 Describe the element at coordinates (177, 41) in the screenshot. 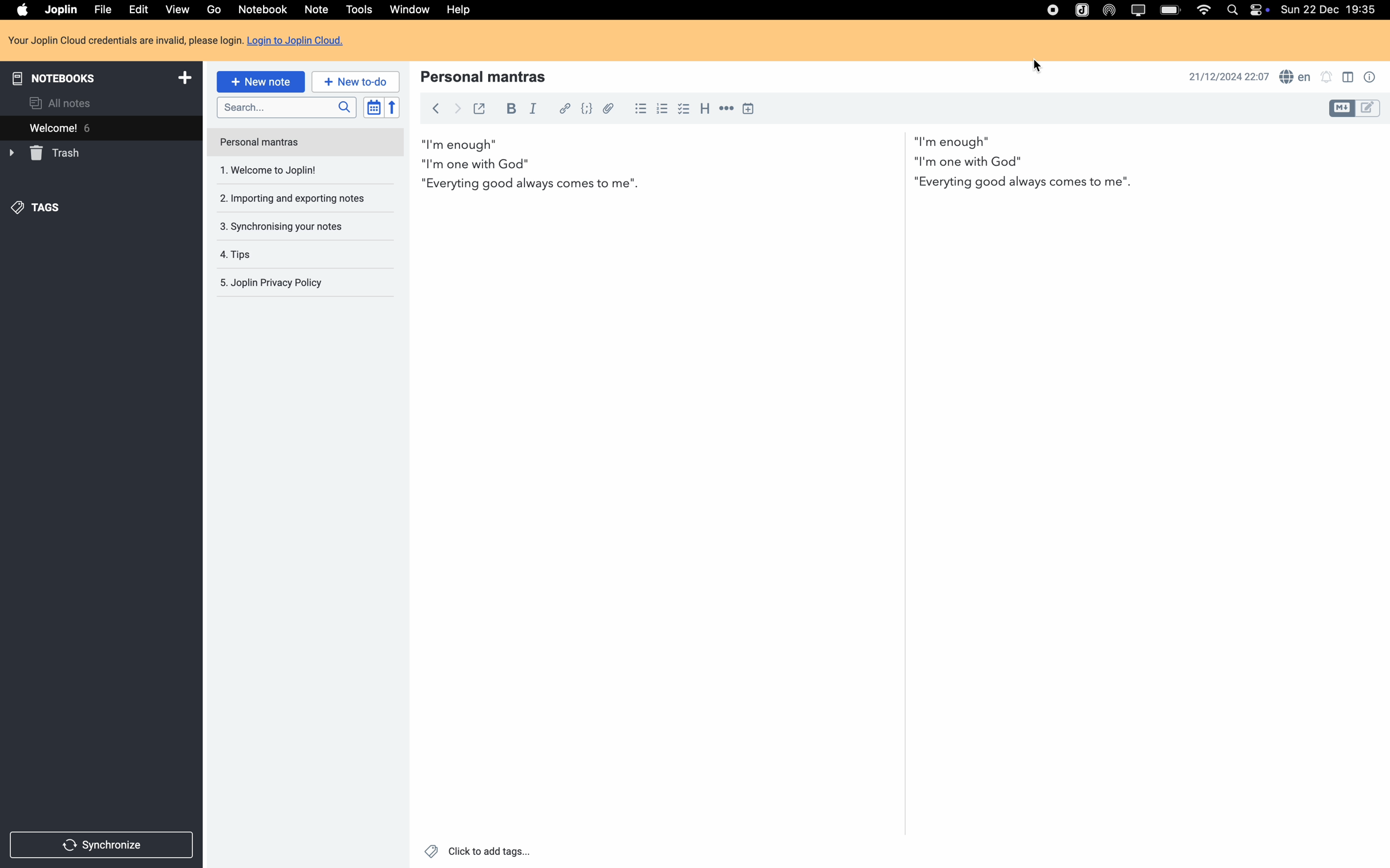

I see `Login` at that location.